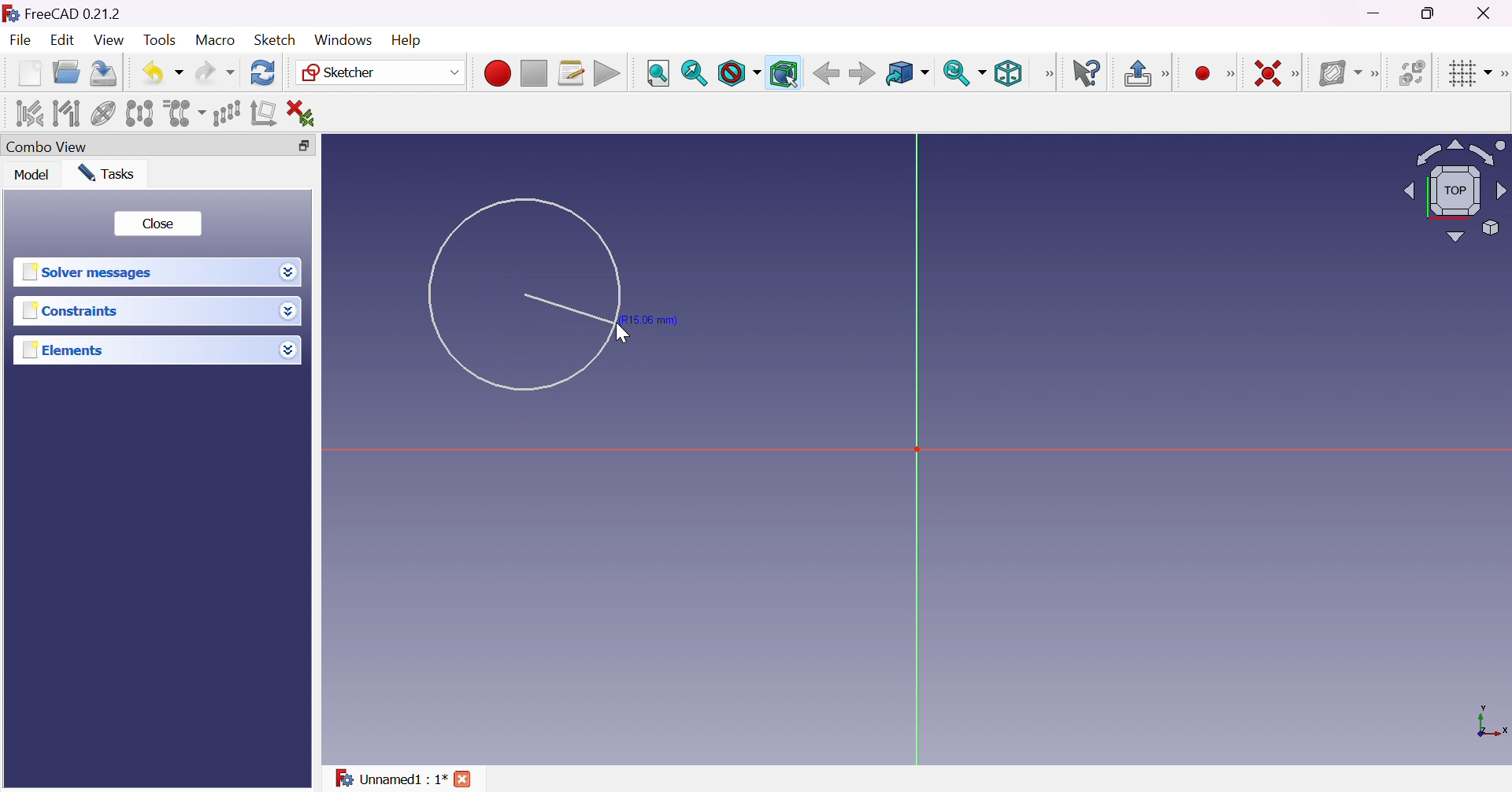 Image resolution: width=1512 pixels, height=792 pixels. I want to click on File, so click(22, 42).